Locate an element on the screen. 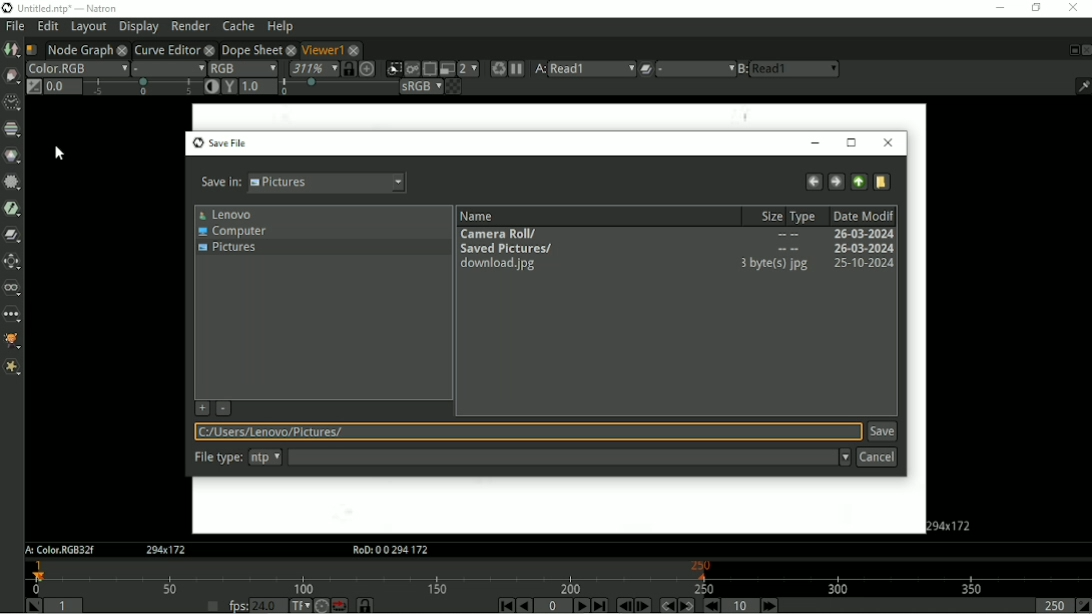  Layout is located at coordinates (87, 27).